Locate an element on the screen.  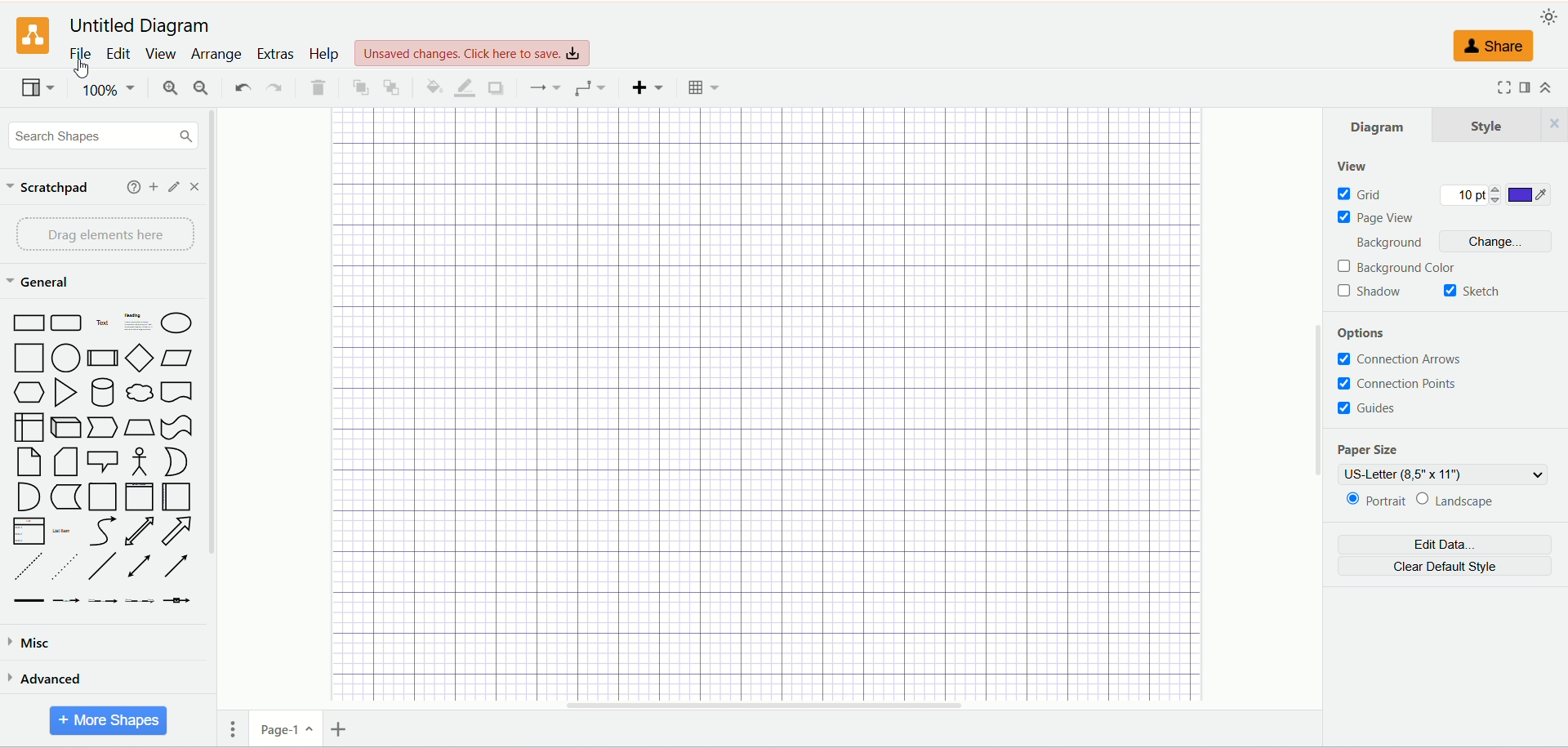
Vertical Container is located at coordinates (139, 497).